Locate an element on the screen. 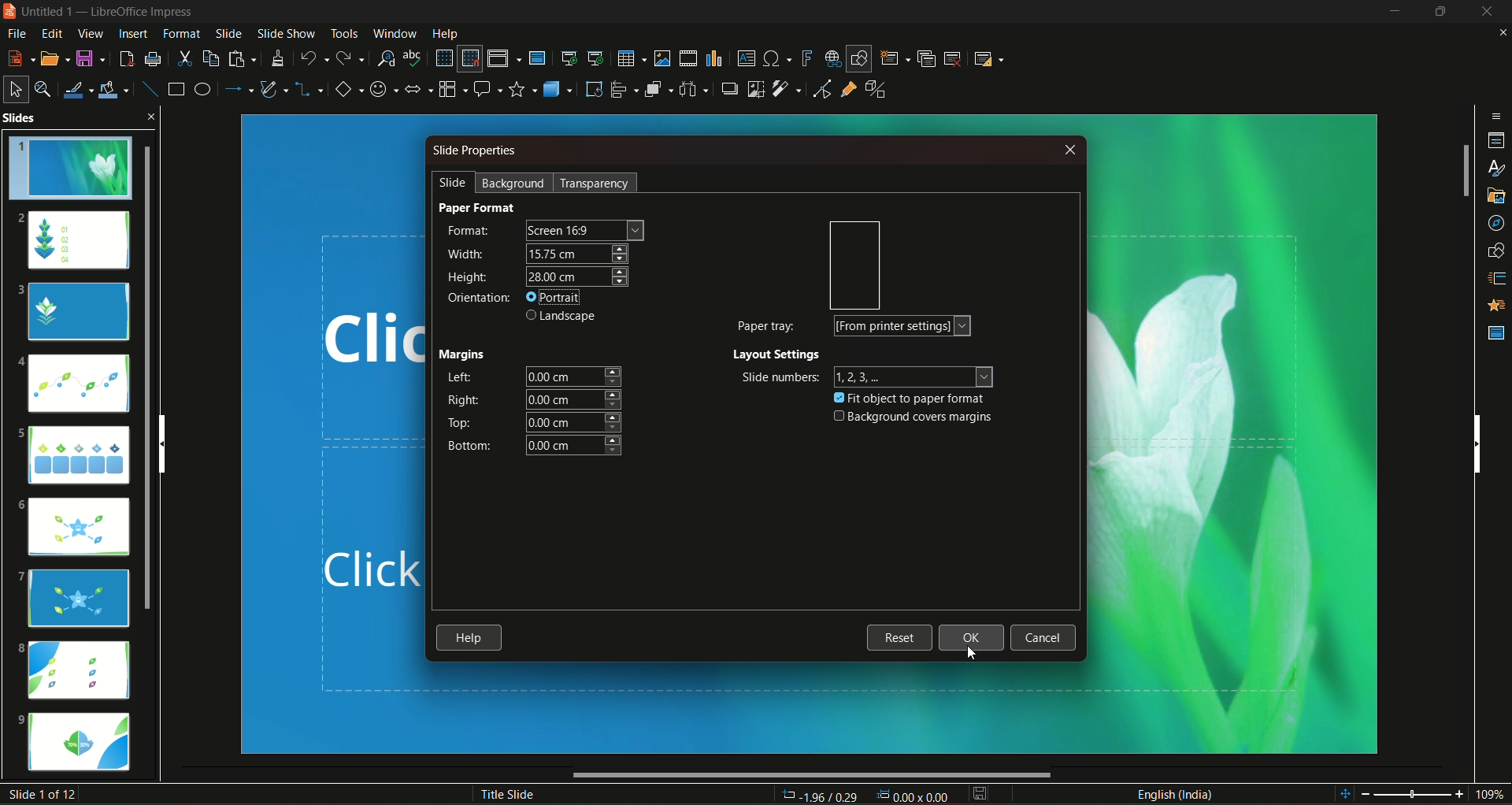  cursor is located at coordinates (975, 652).